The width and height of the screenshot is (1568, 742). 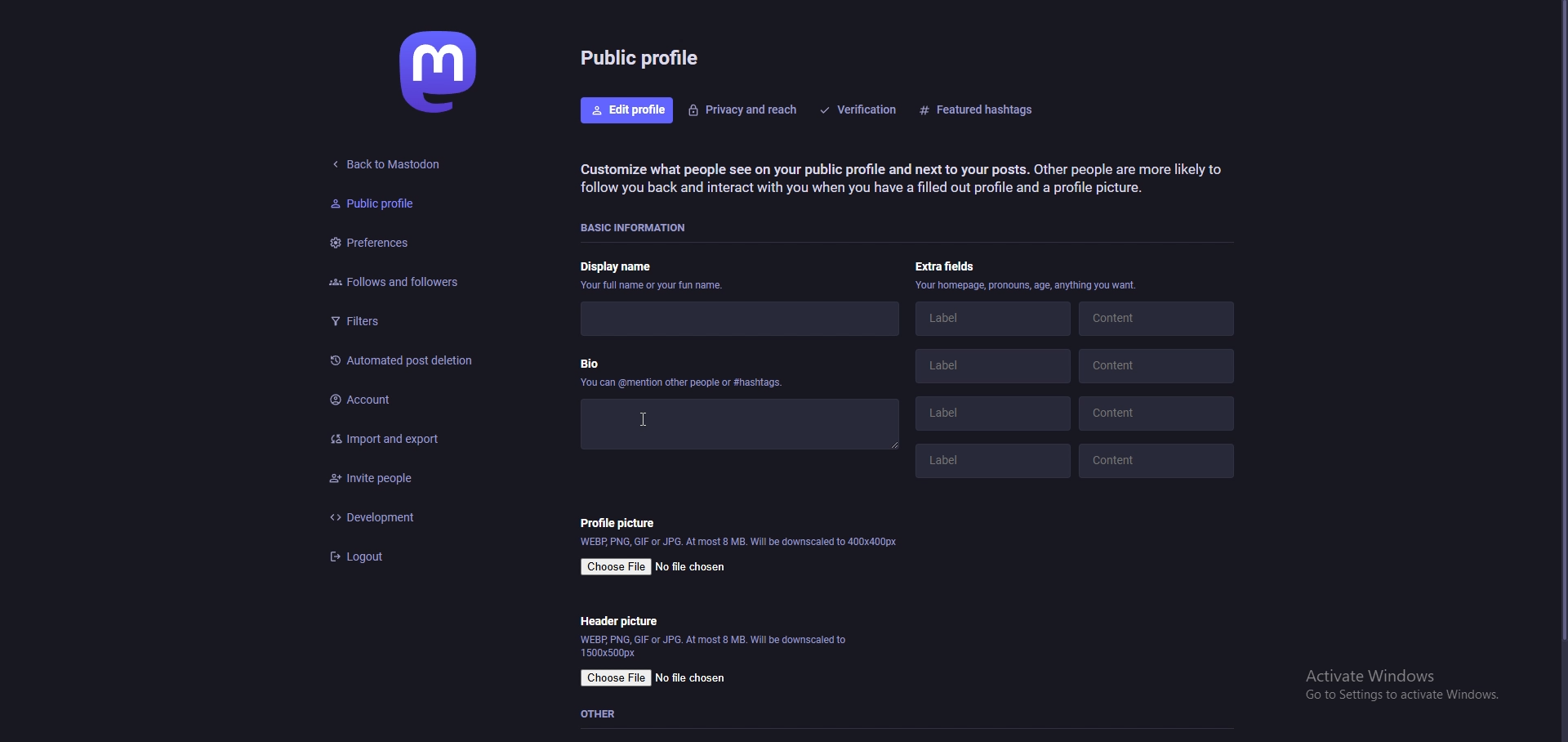 What do you see at coordinates (388, 166) in the screenshot?
I see `back to mastodon` at bounding box center [388, 166].